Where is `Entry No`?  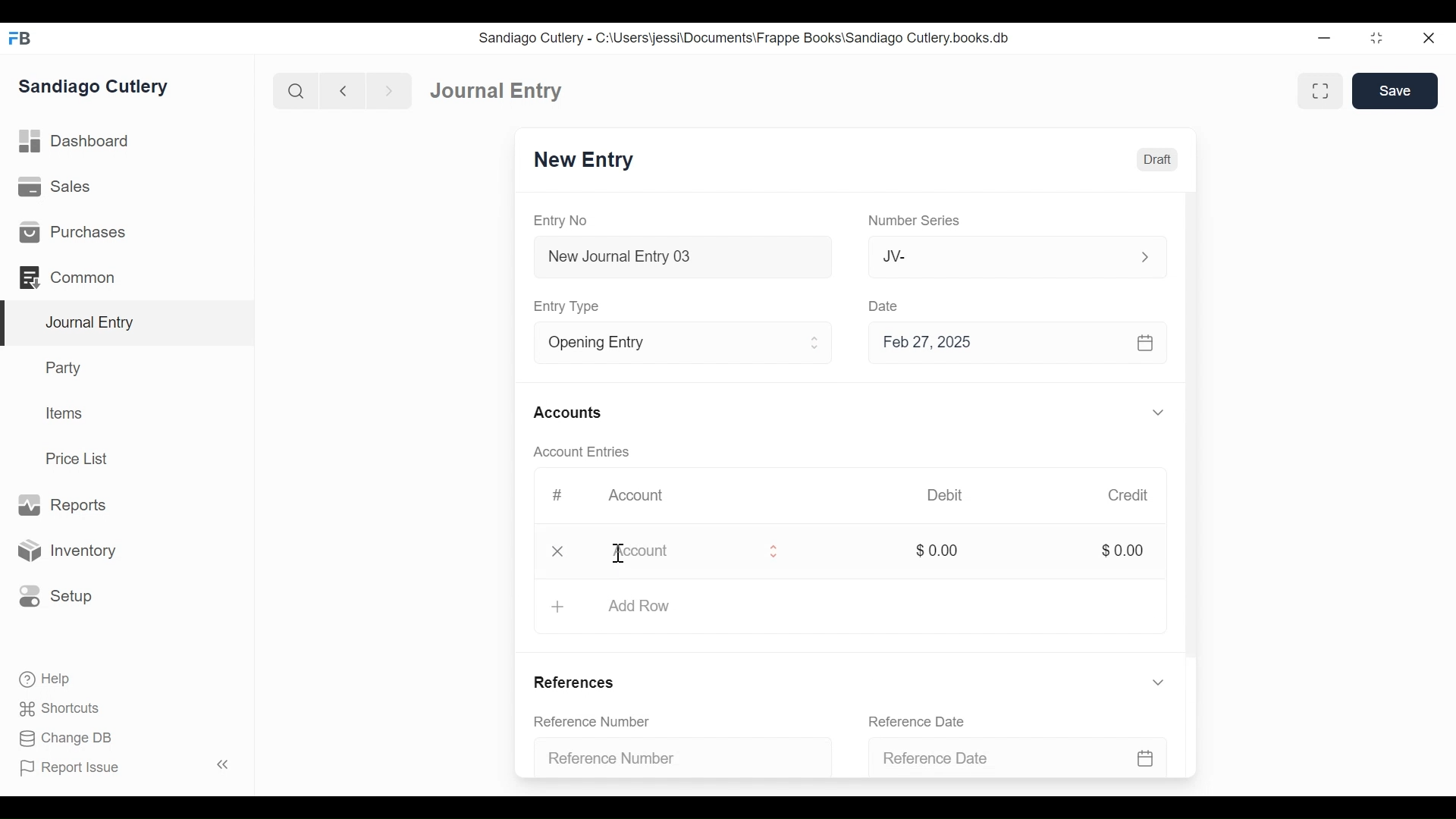
Entry No is located at coordinates (560, 221).